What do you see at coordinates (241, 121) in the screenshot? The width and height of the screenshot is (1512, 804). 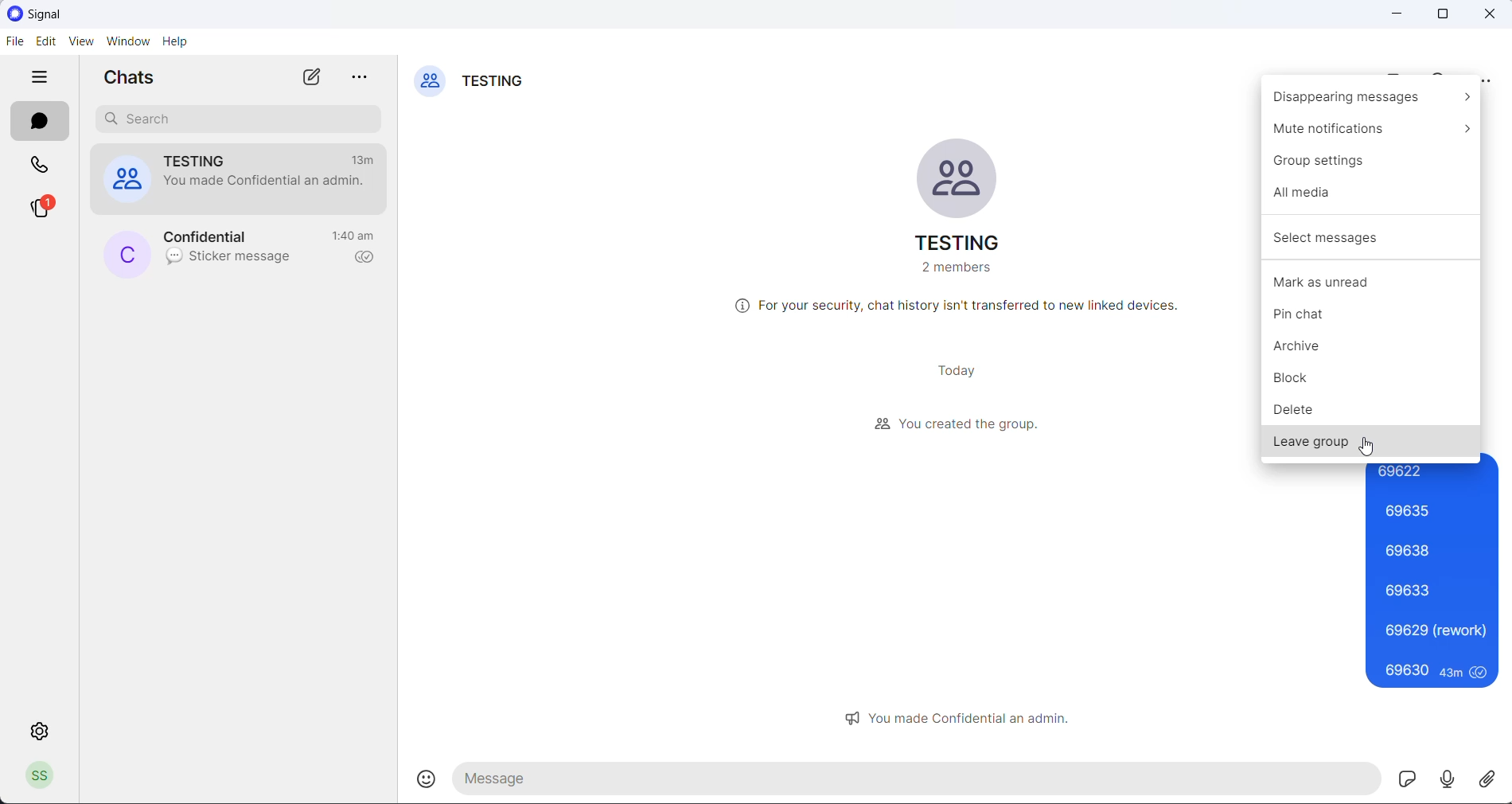 I see `search for chat` at bounding box center [241, 121].